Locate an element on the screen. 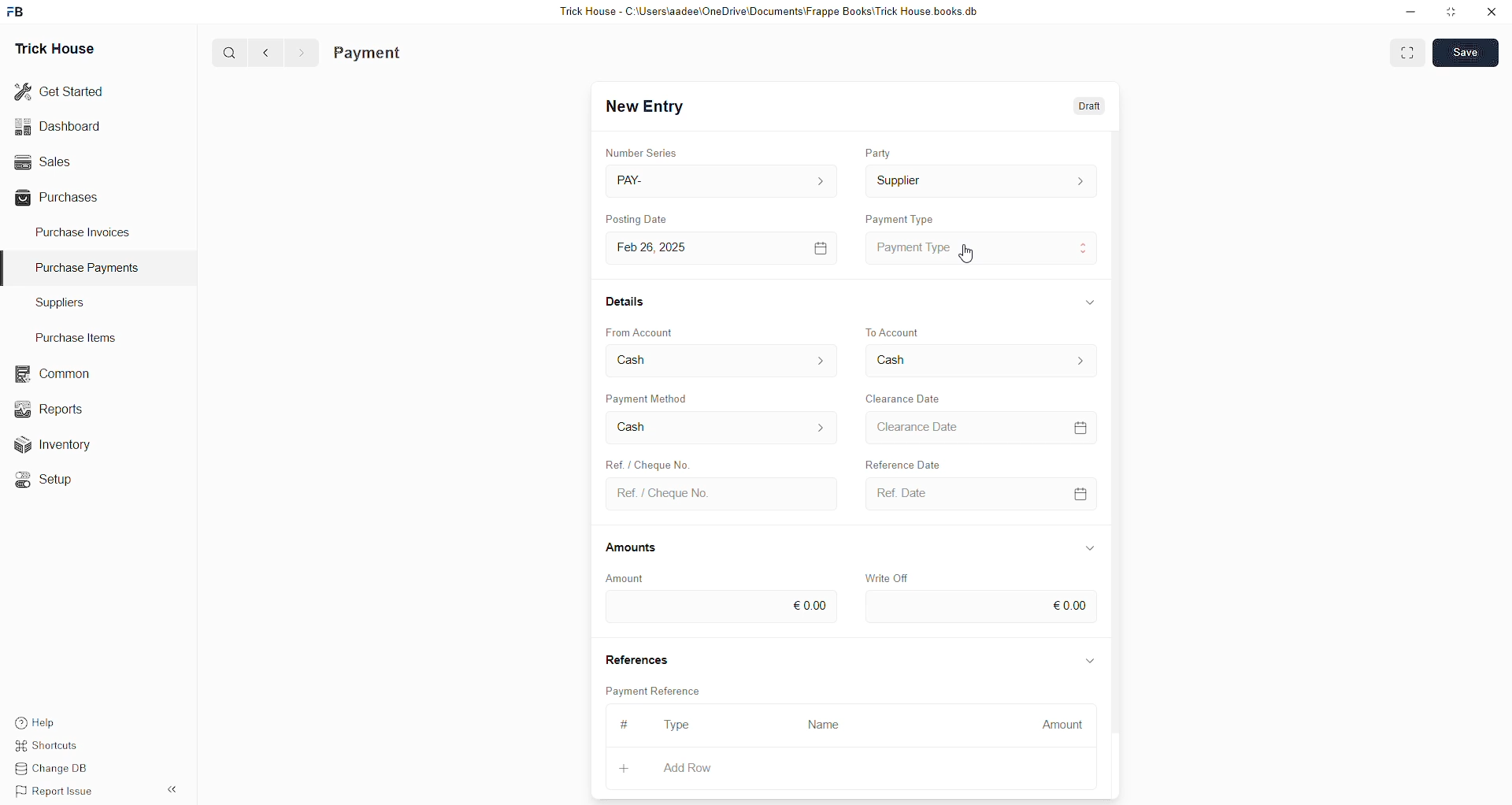 The width and height of the screenshot is (1512, 805). Save is located at coordinates (1464, 54).